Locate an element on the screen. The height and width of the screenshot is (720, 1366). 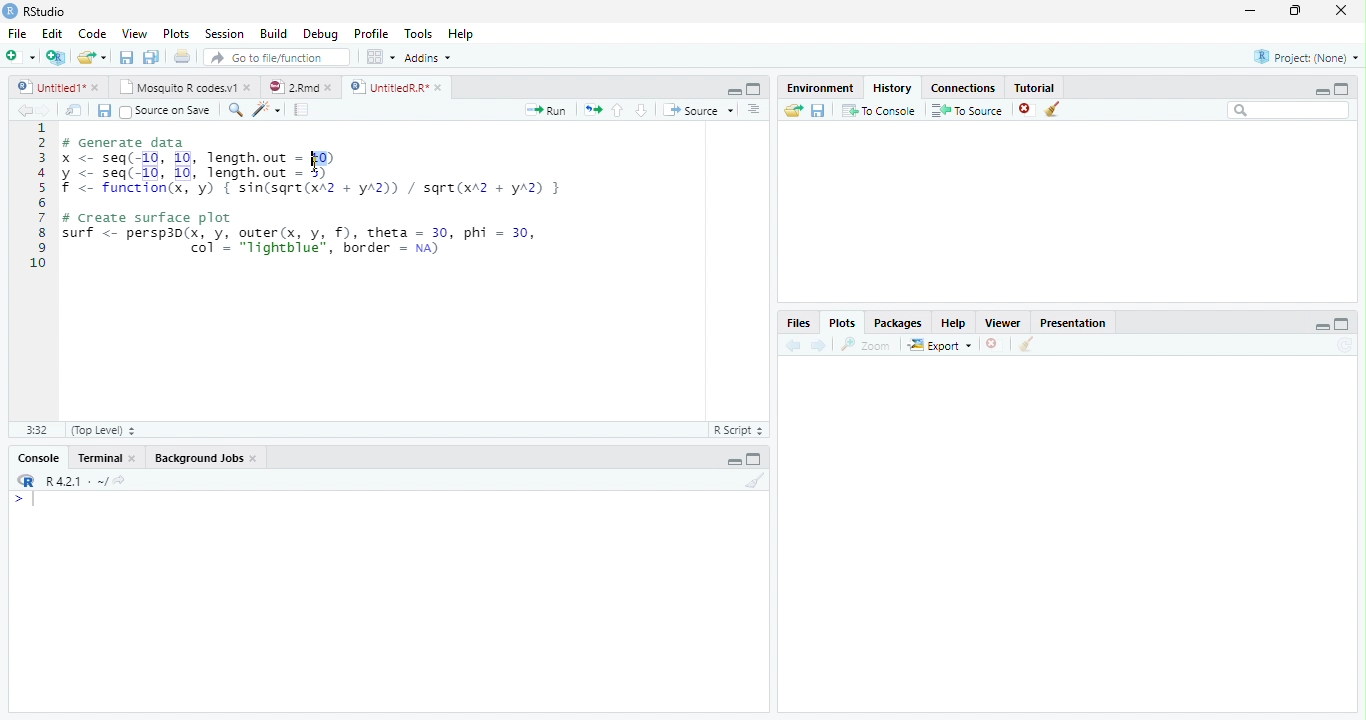
Files is located at coordinates (800, 322).